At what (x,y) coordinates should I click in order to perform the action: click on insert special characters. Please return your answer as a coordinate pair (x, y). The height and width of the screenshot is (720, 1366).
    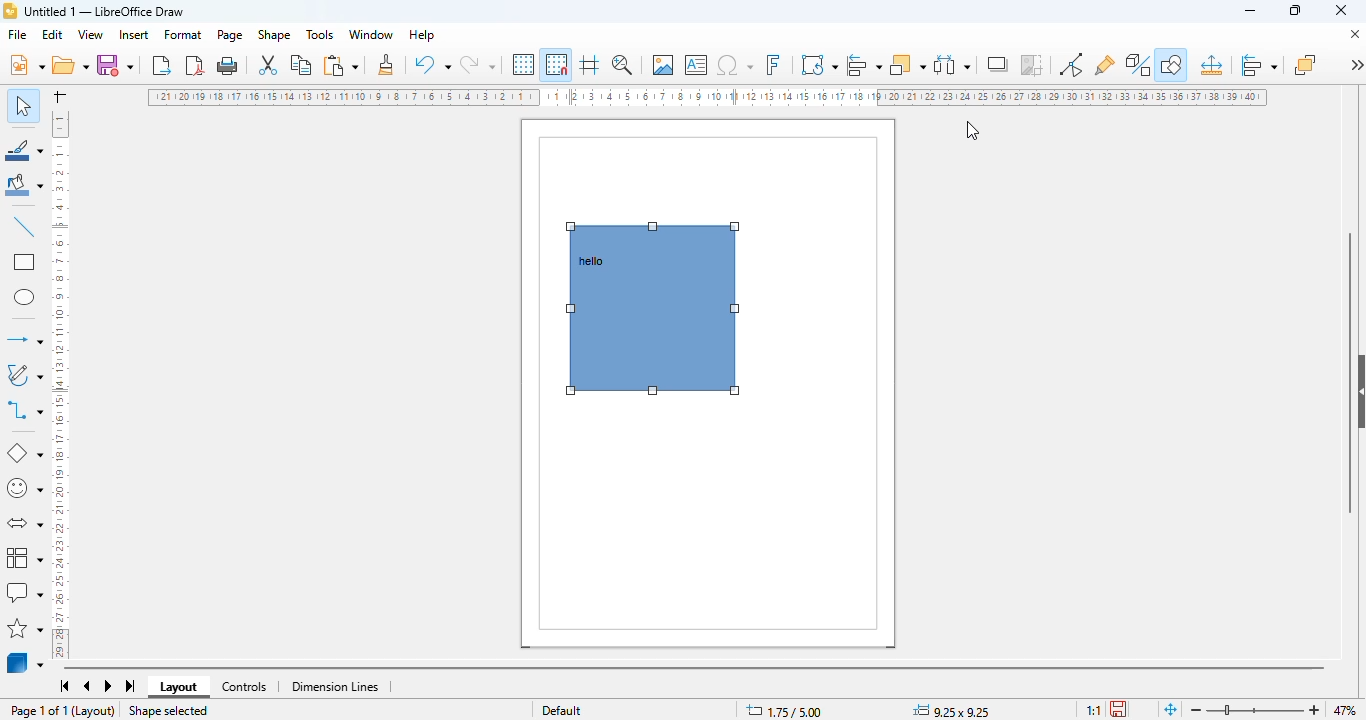
    Looking at the image, I should click on (735, 65).